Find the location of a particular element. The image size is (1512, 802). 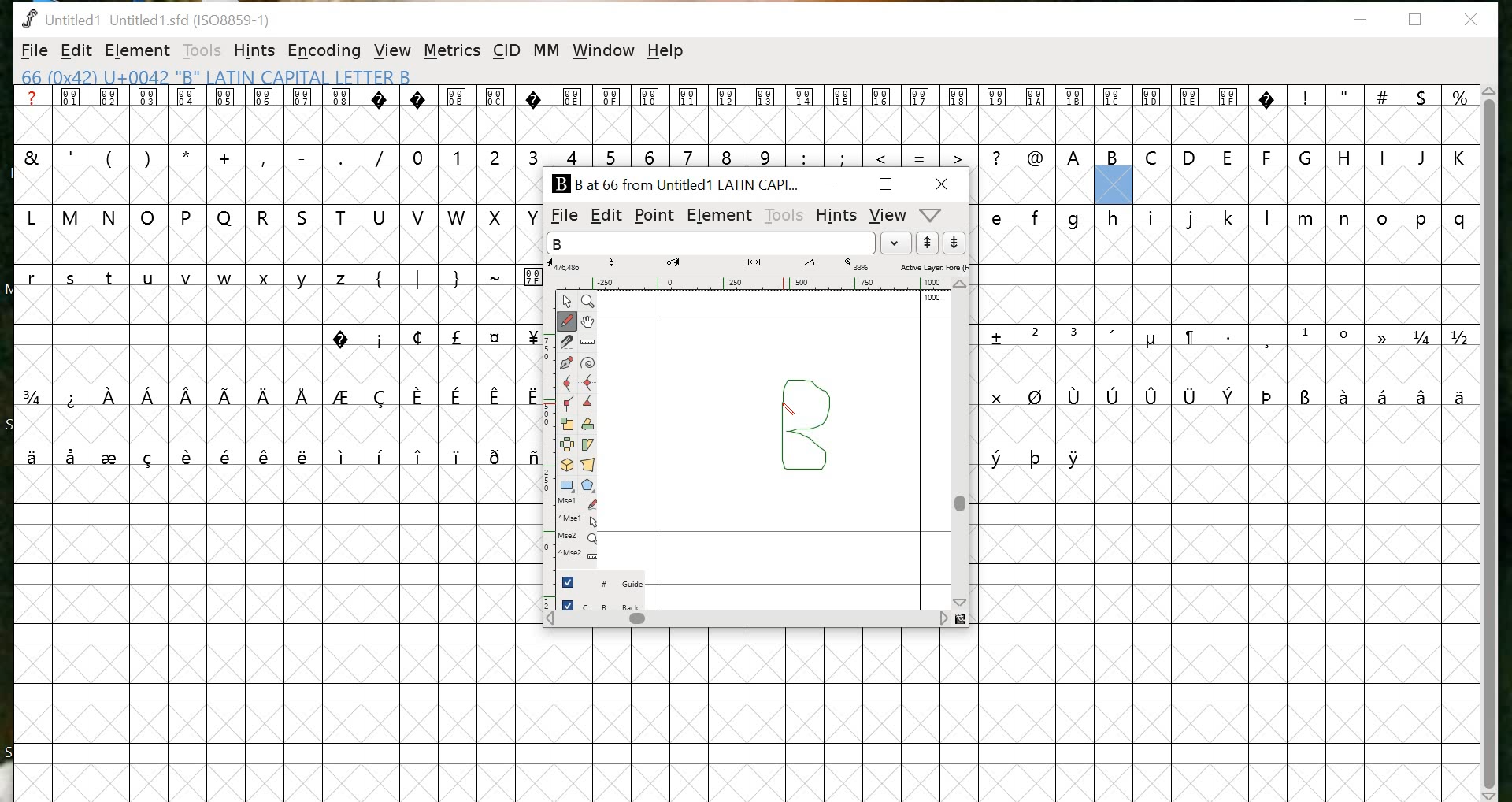

Rotate is located at coordinates (588, 425).